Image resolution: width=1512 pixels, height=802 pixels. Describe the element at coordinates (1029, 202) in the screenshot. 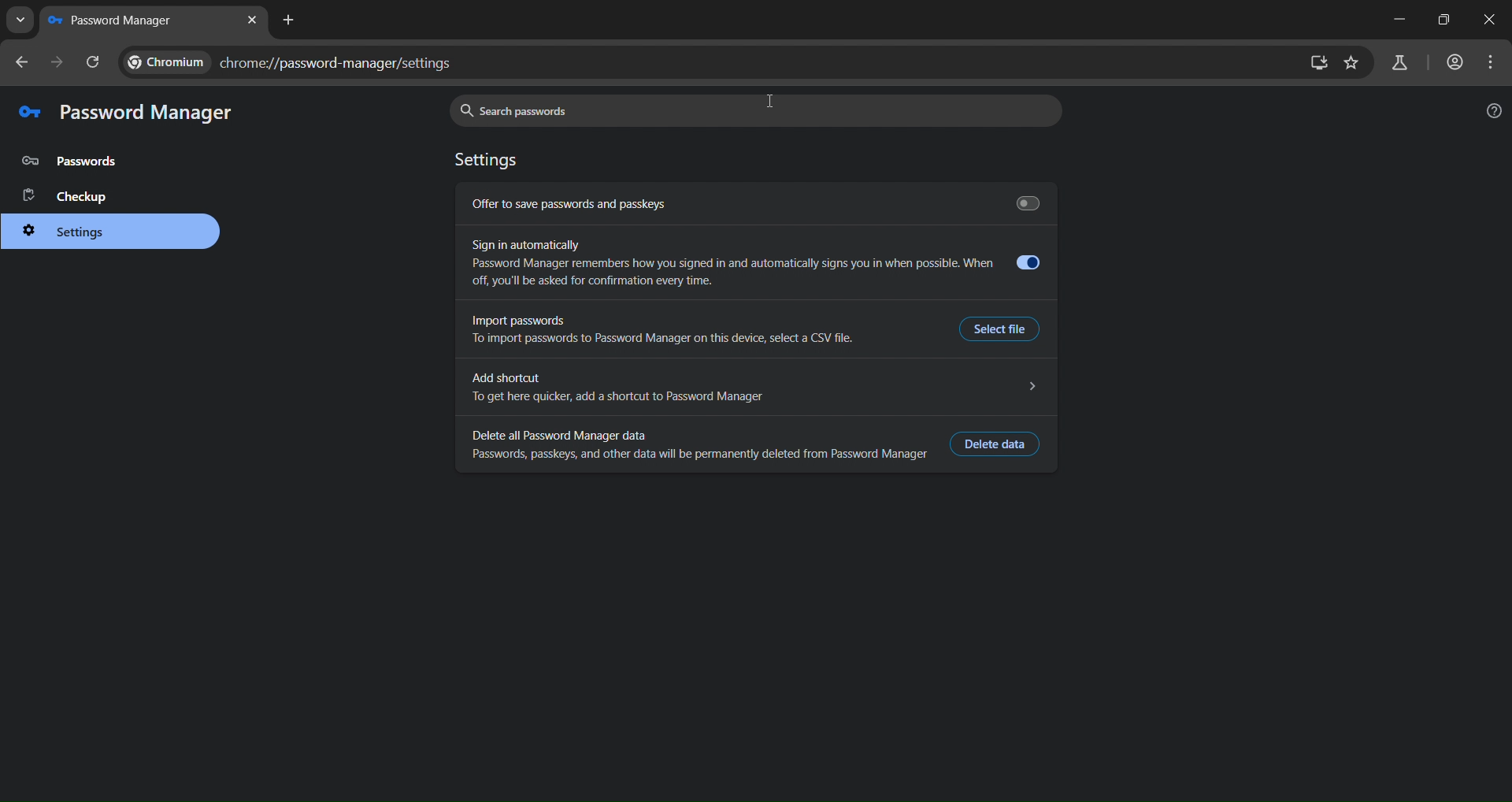

I see `Save passwords toggle` at that location.